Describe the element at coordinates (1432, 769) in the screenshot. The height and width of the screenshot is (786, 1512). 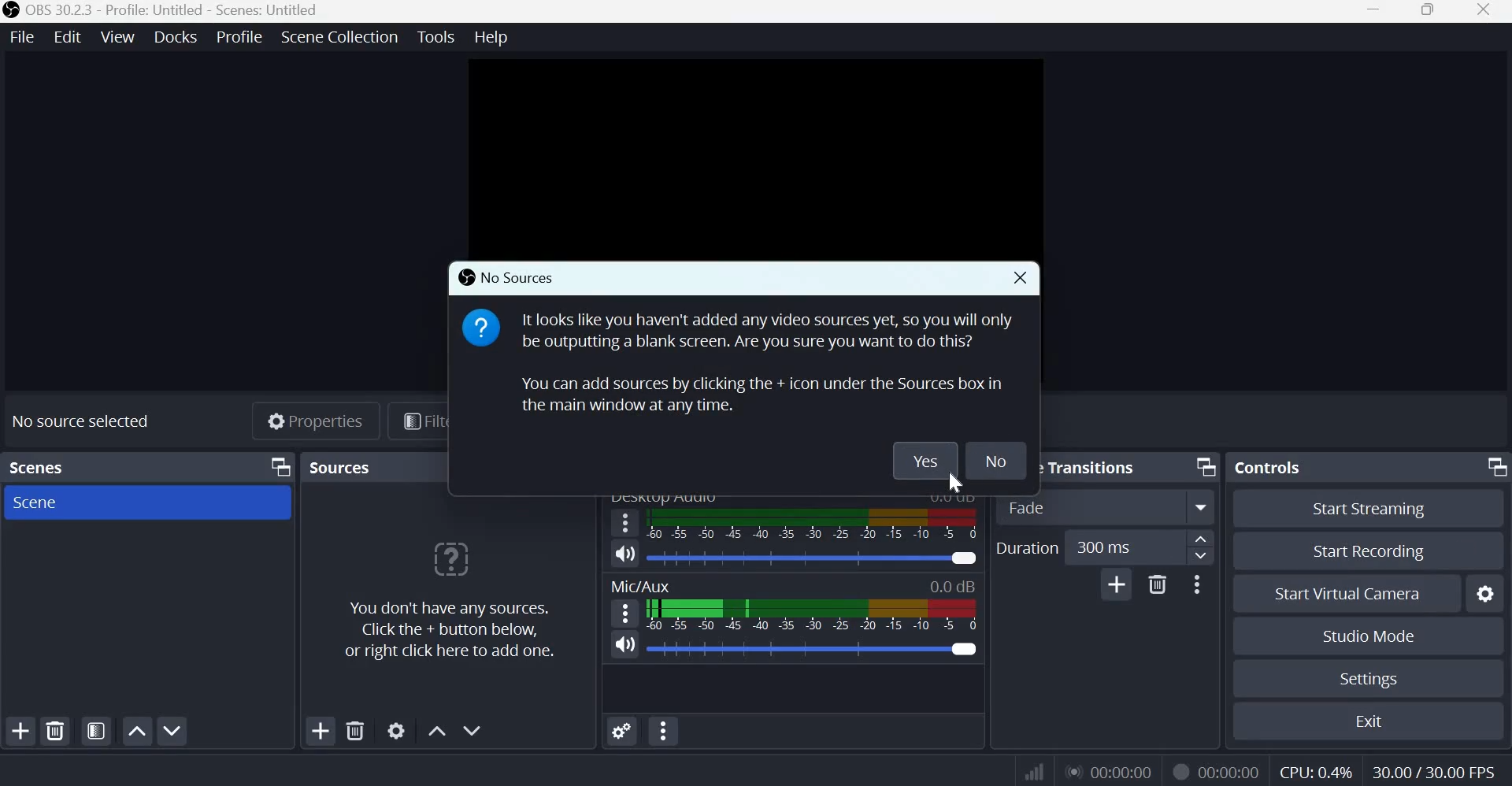
I see `30.00/30.00 FPS` at that location.